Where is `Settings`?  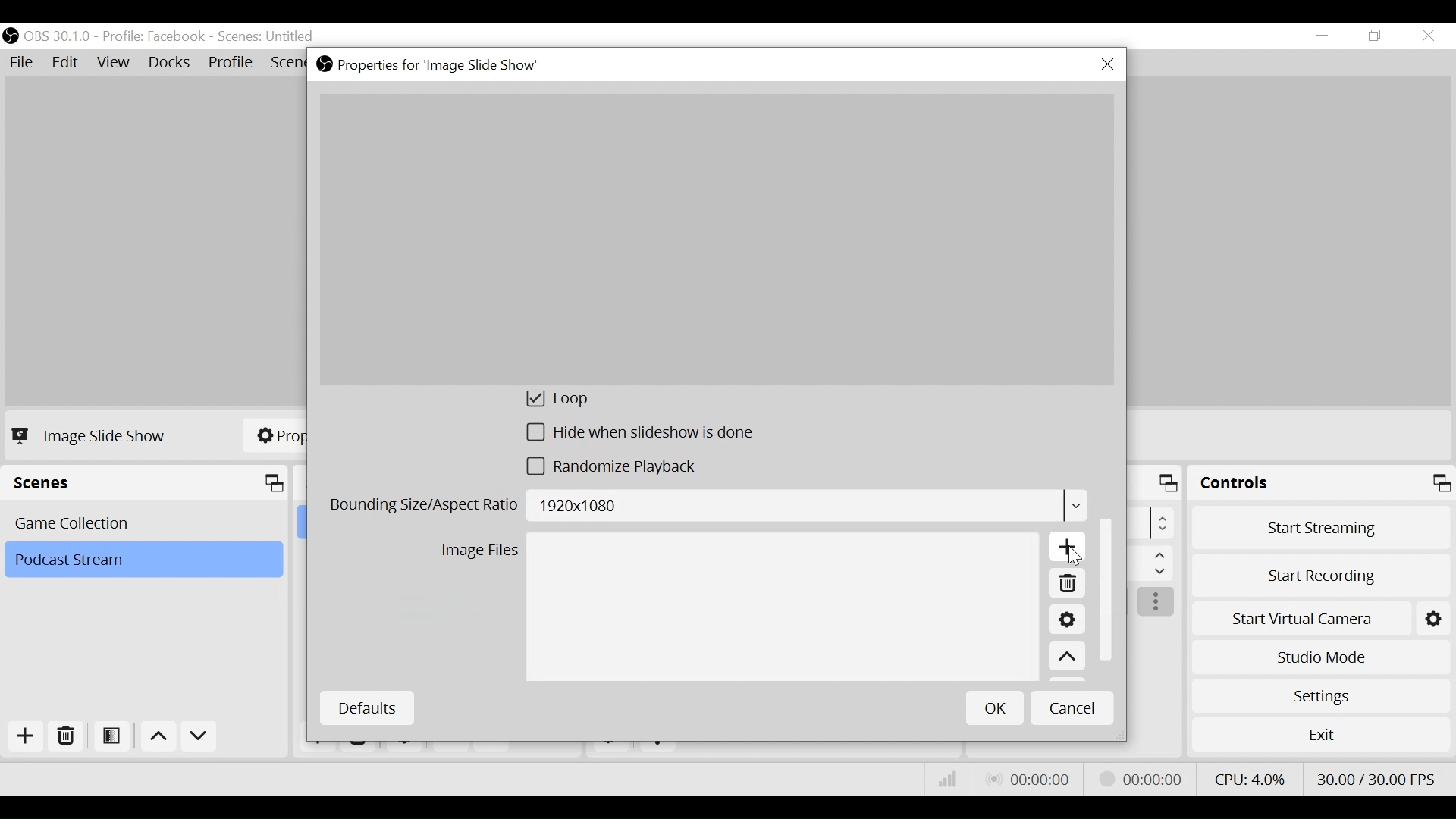
Settings is located at coordinates (1066, 622).